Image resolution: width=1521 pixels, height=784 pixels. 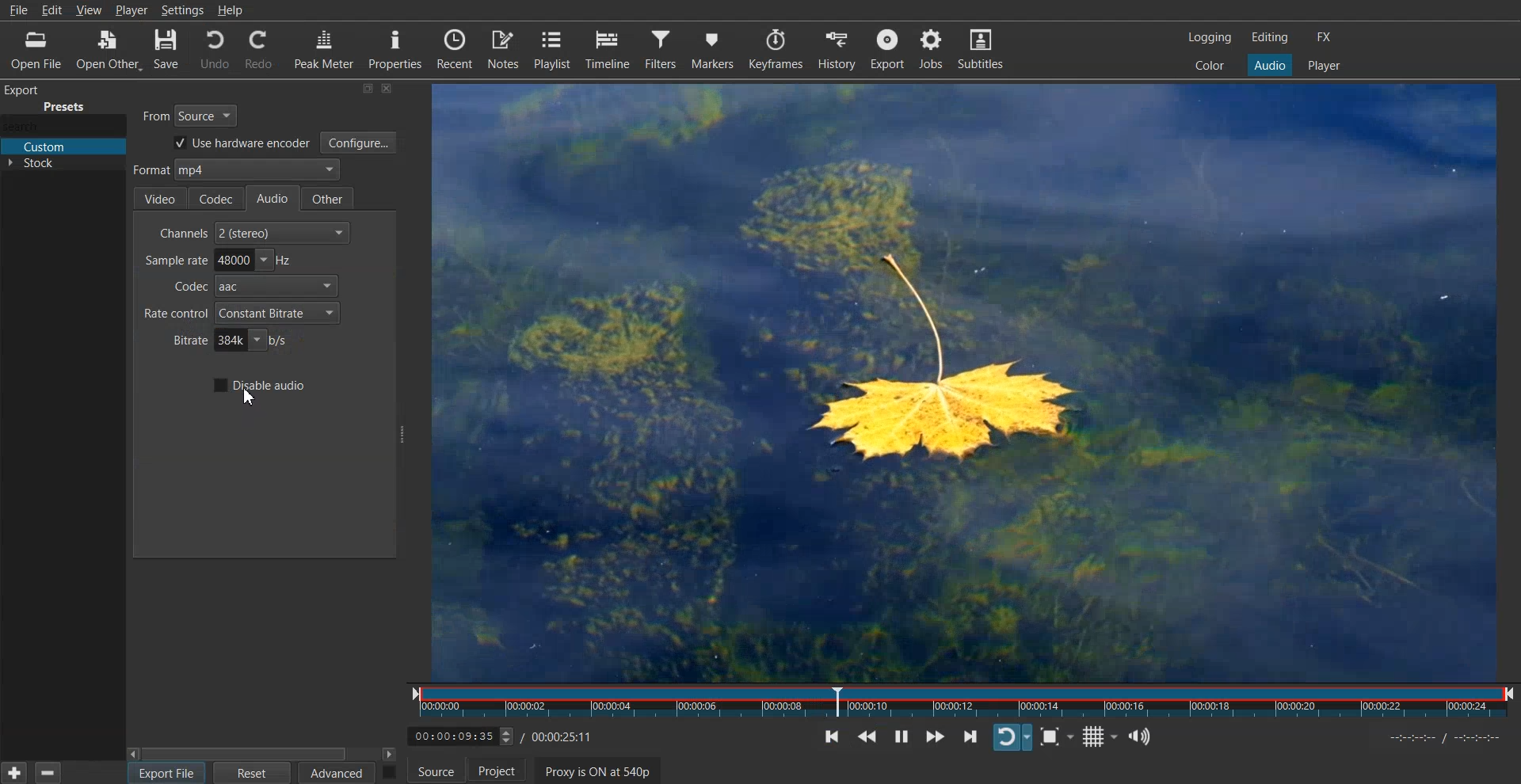 I want to click on Markers, so click(x=714, y=48).